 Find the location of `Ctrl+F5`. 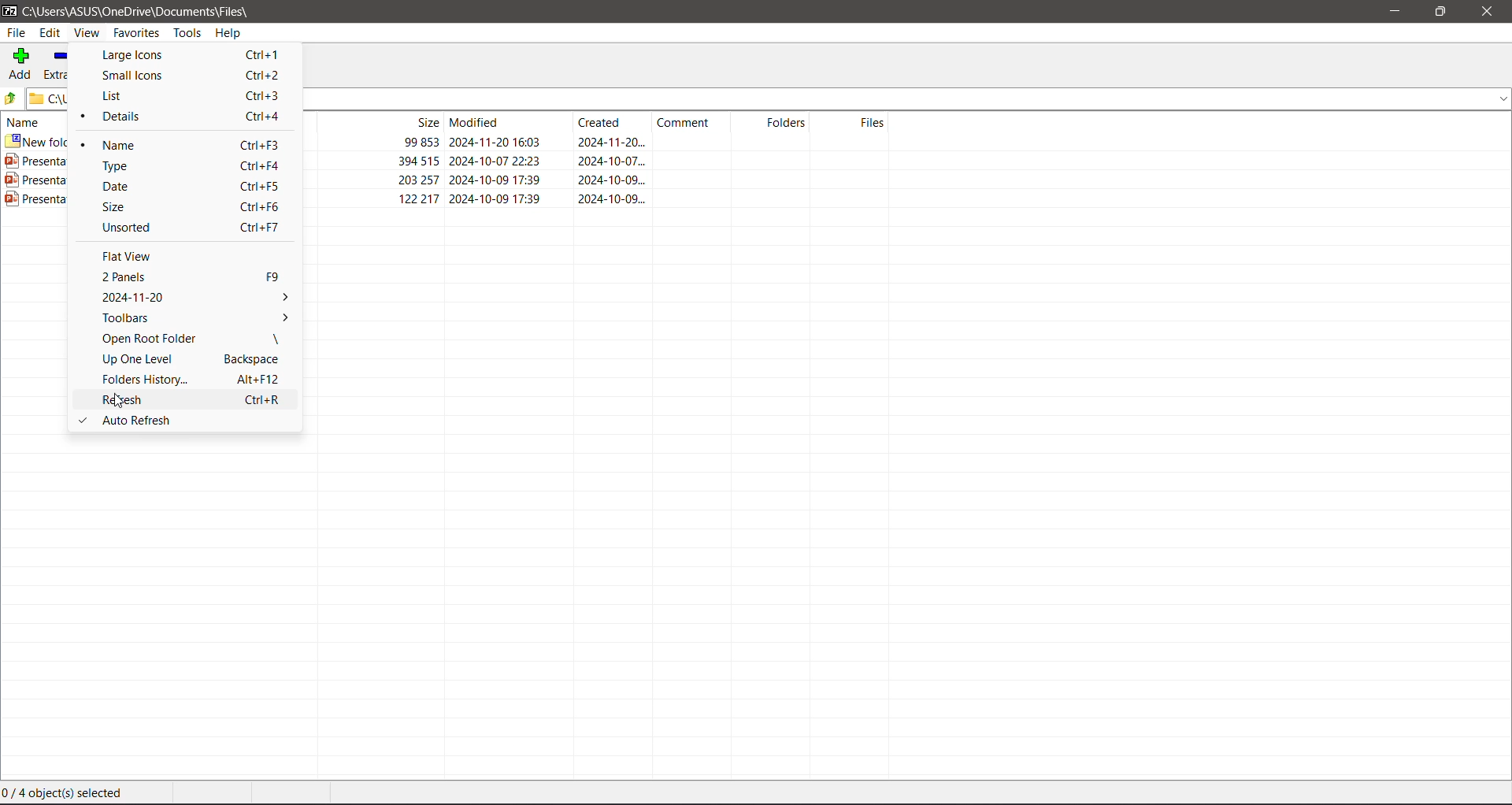

Ctrl+F5 is located at coordinates (262, 185).